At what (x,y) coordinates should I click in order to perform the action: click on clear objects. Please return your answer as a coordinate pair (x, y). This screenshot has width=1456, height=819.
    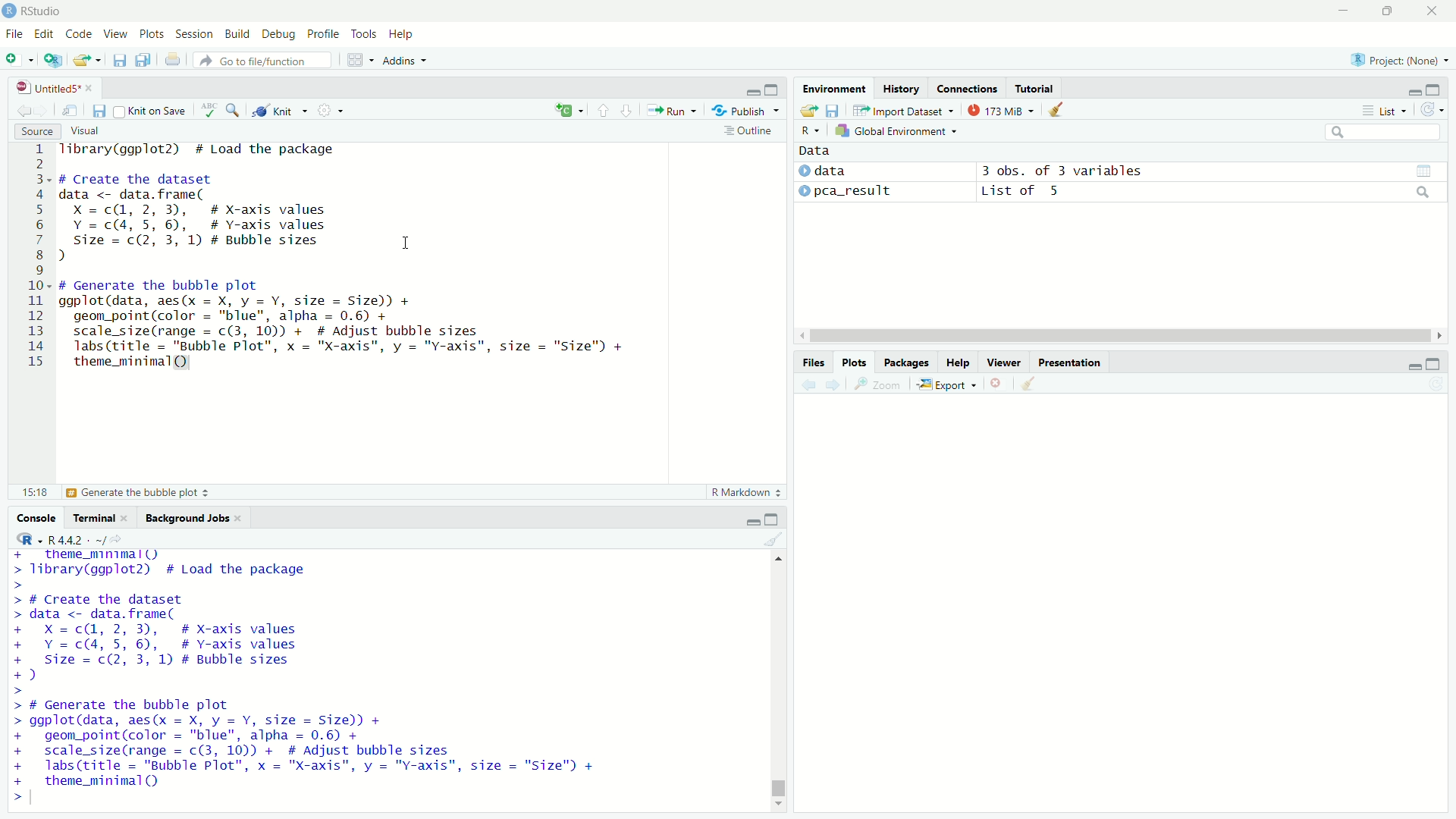
    Looking at the image, I should click on (1057, 108).